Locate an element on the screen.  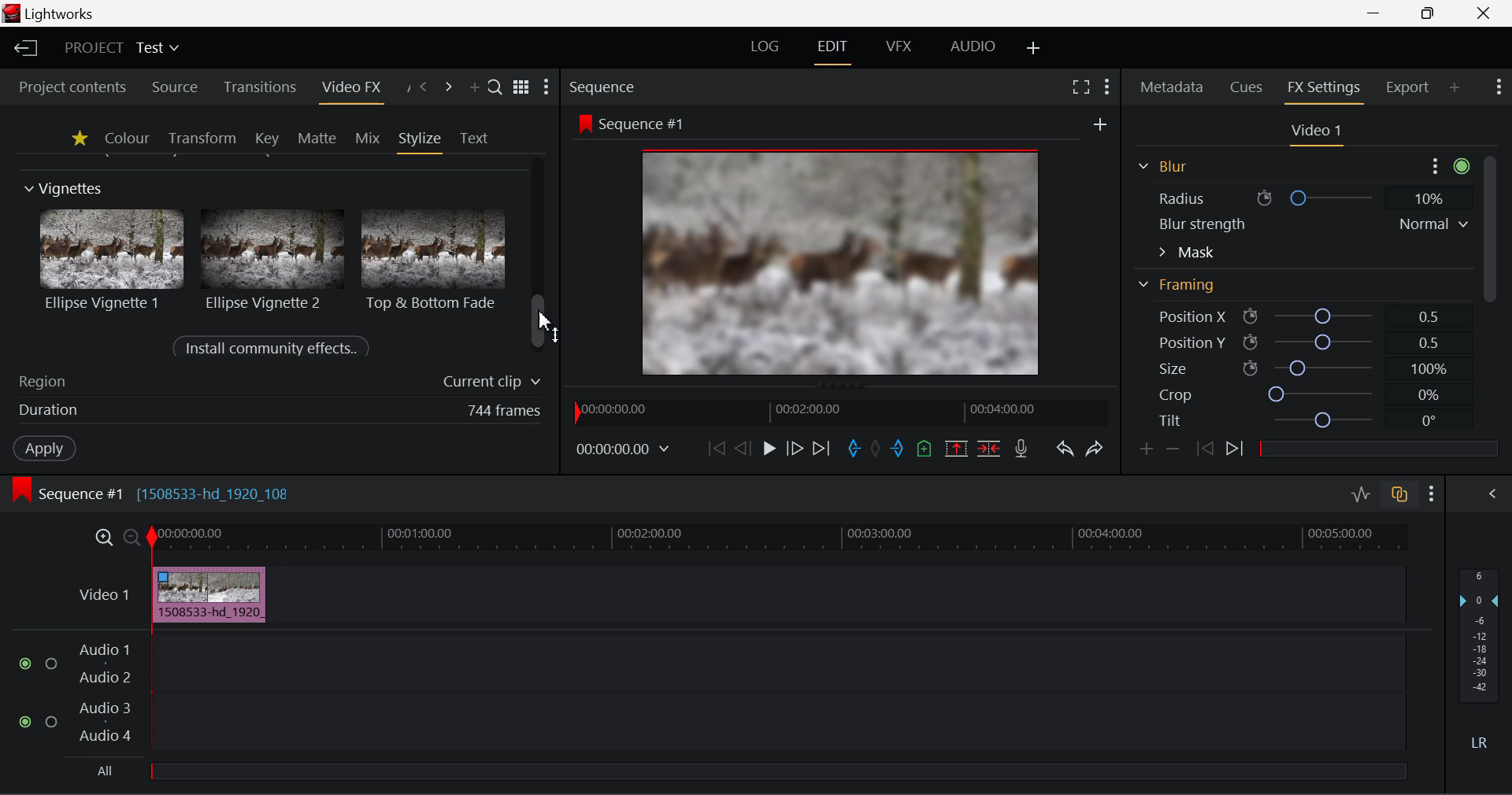
To End is located at coordinates (823, 446).